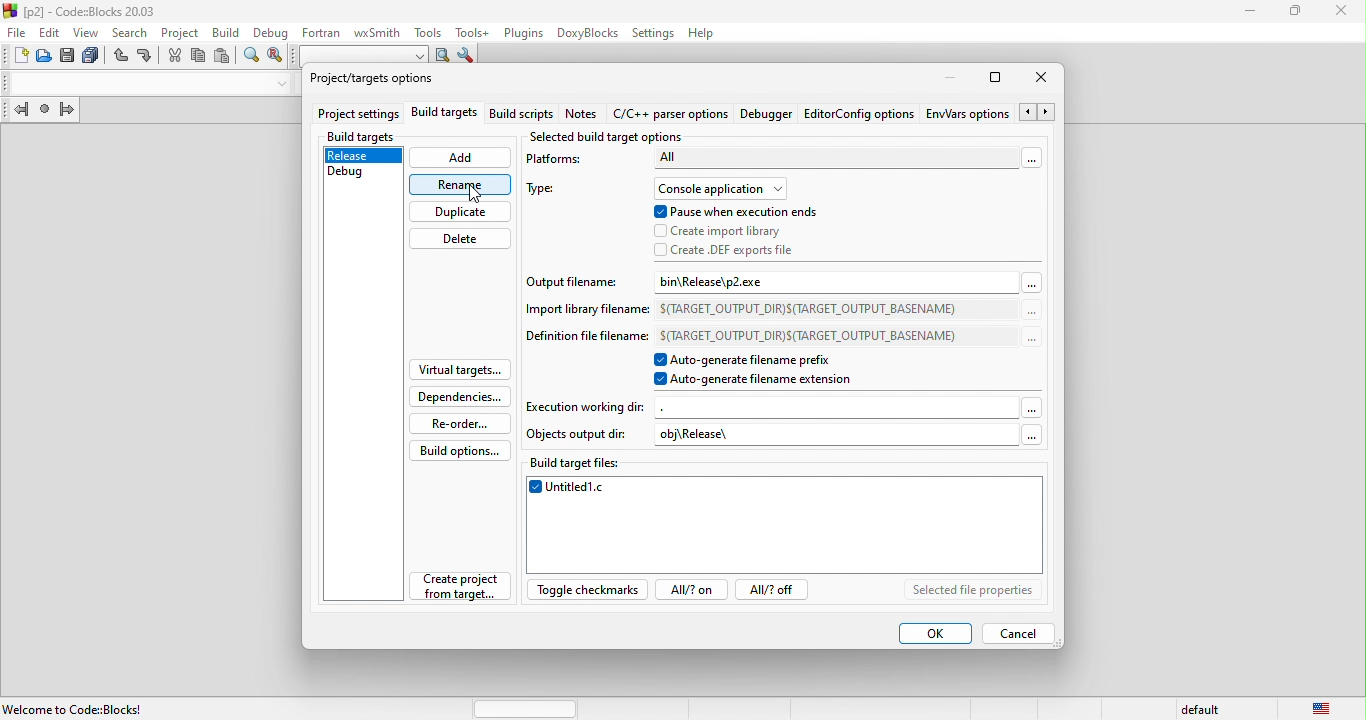  What do you see at coordinates (562, 163) in the screenshot?
I see `platforms` at bounding box center [562, 163].